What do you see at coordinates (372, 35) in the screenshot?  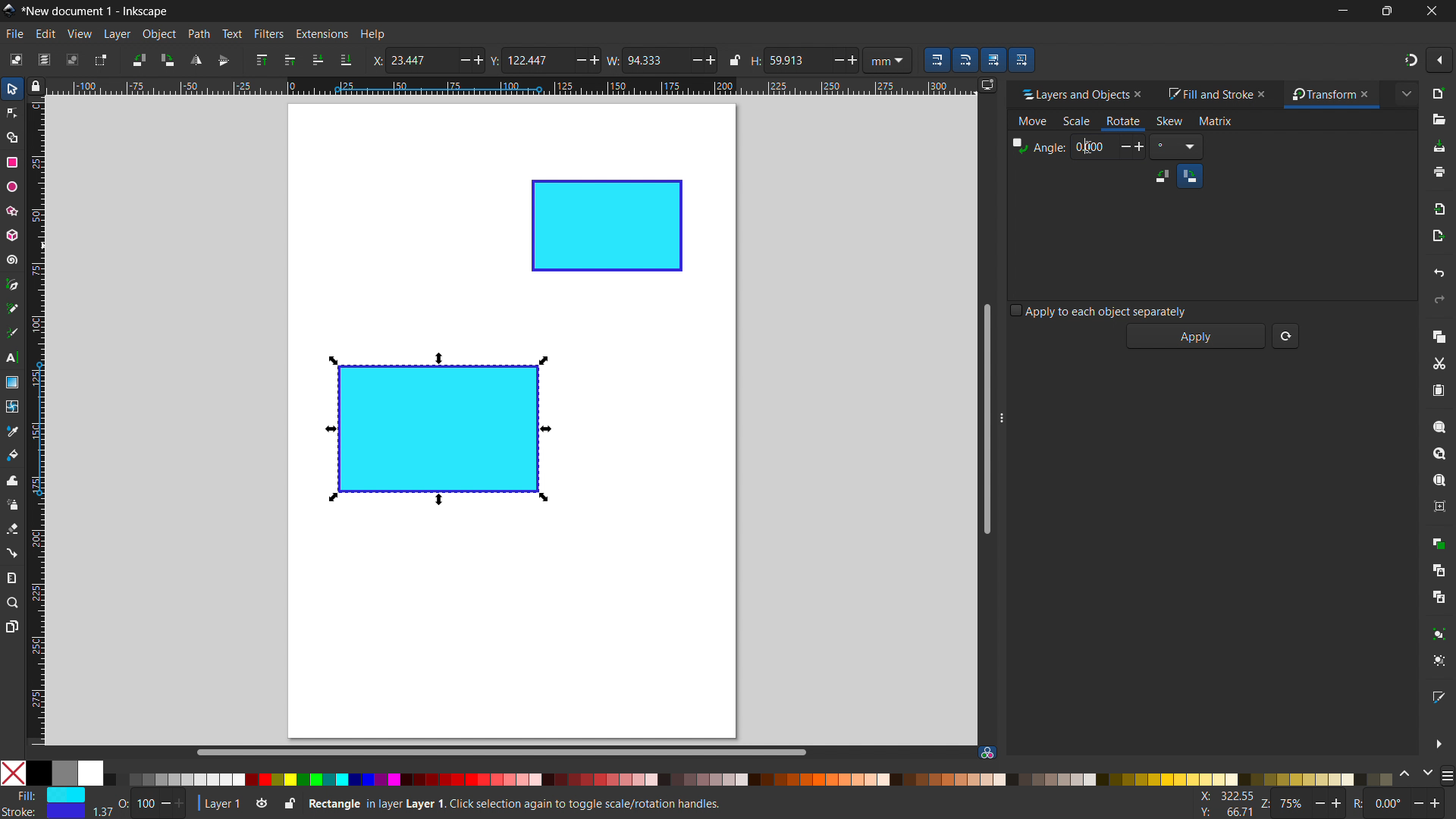 I see `help` at bounding box center [372, 35].